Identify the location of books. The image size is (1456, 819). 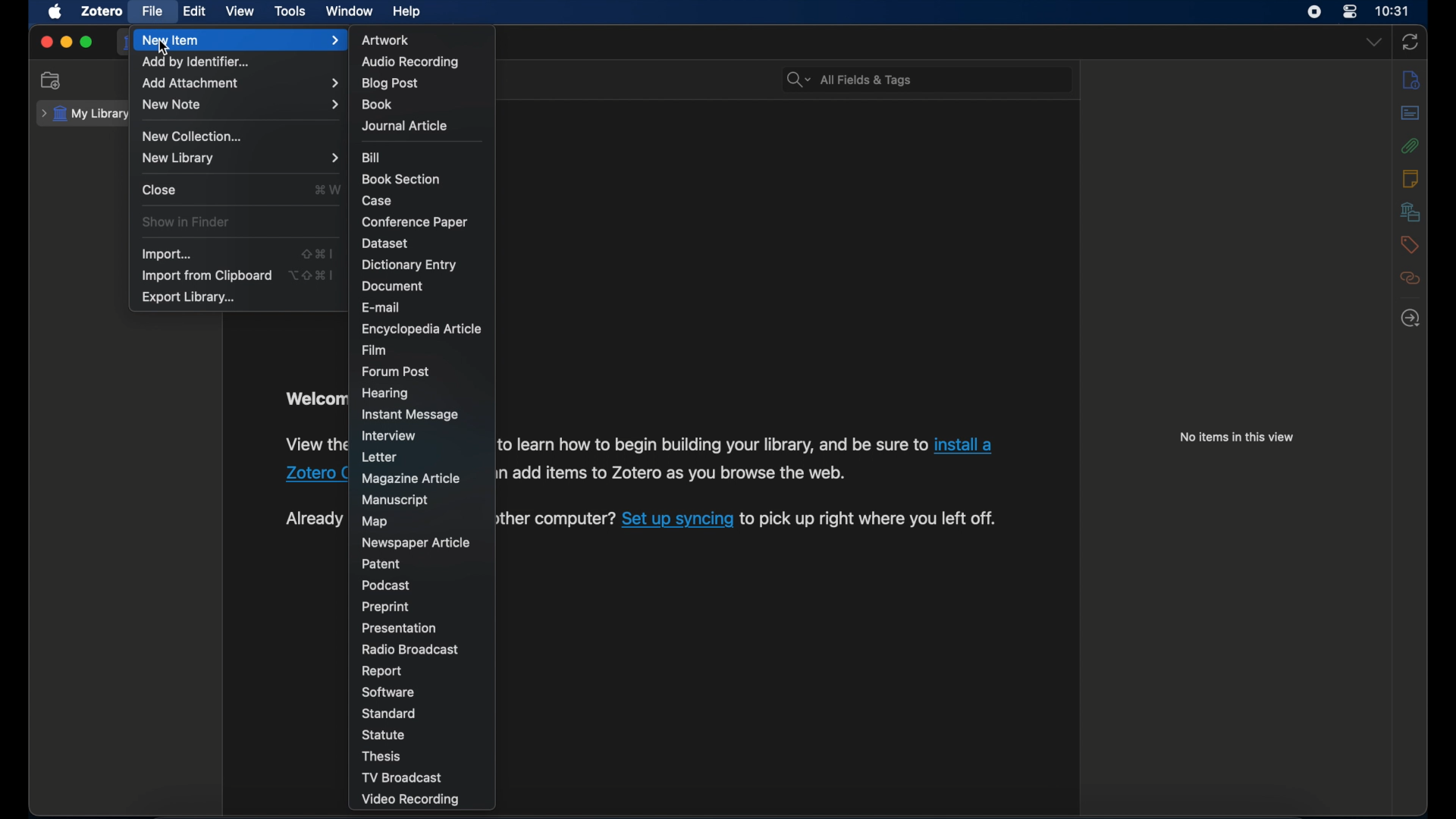
(378, 104).